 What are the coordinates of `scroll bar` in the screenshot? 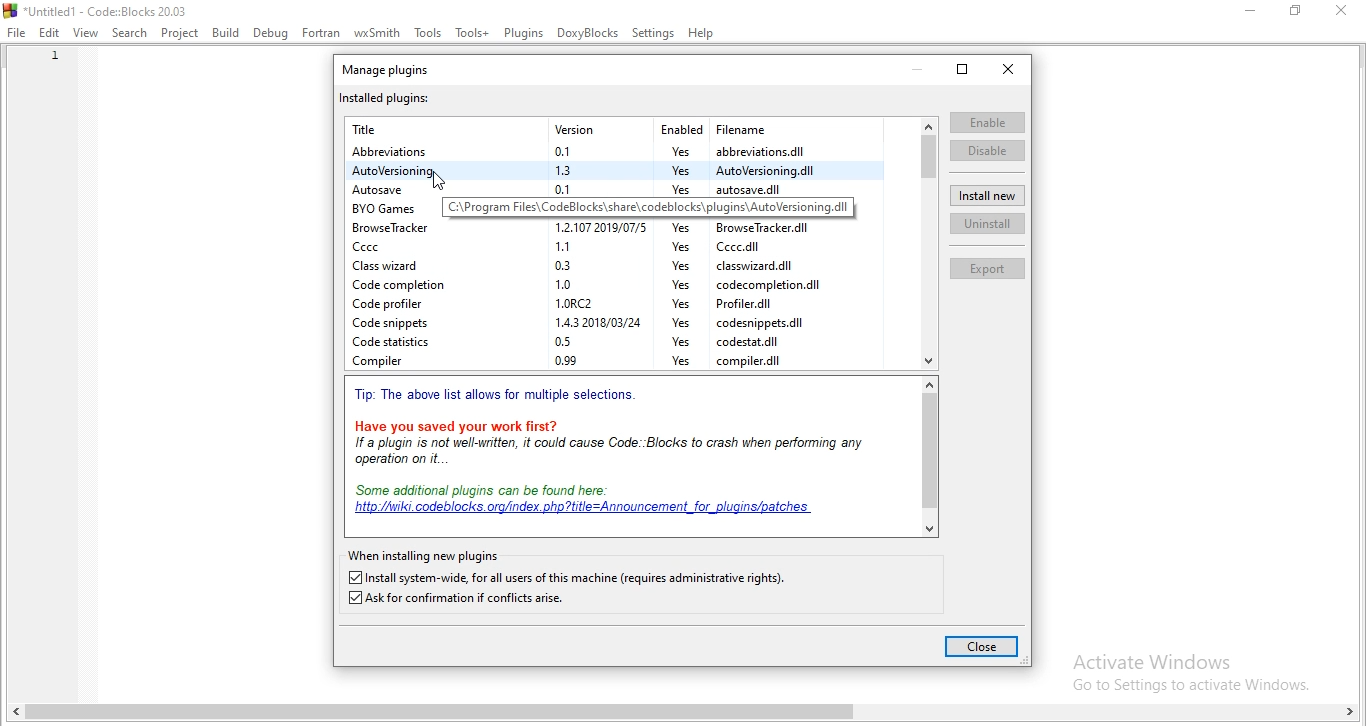 It's located at (687, 715).